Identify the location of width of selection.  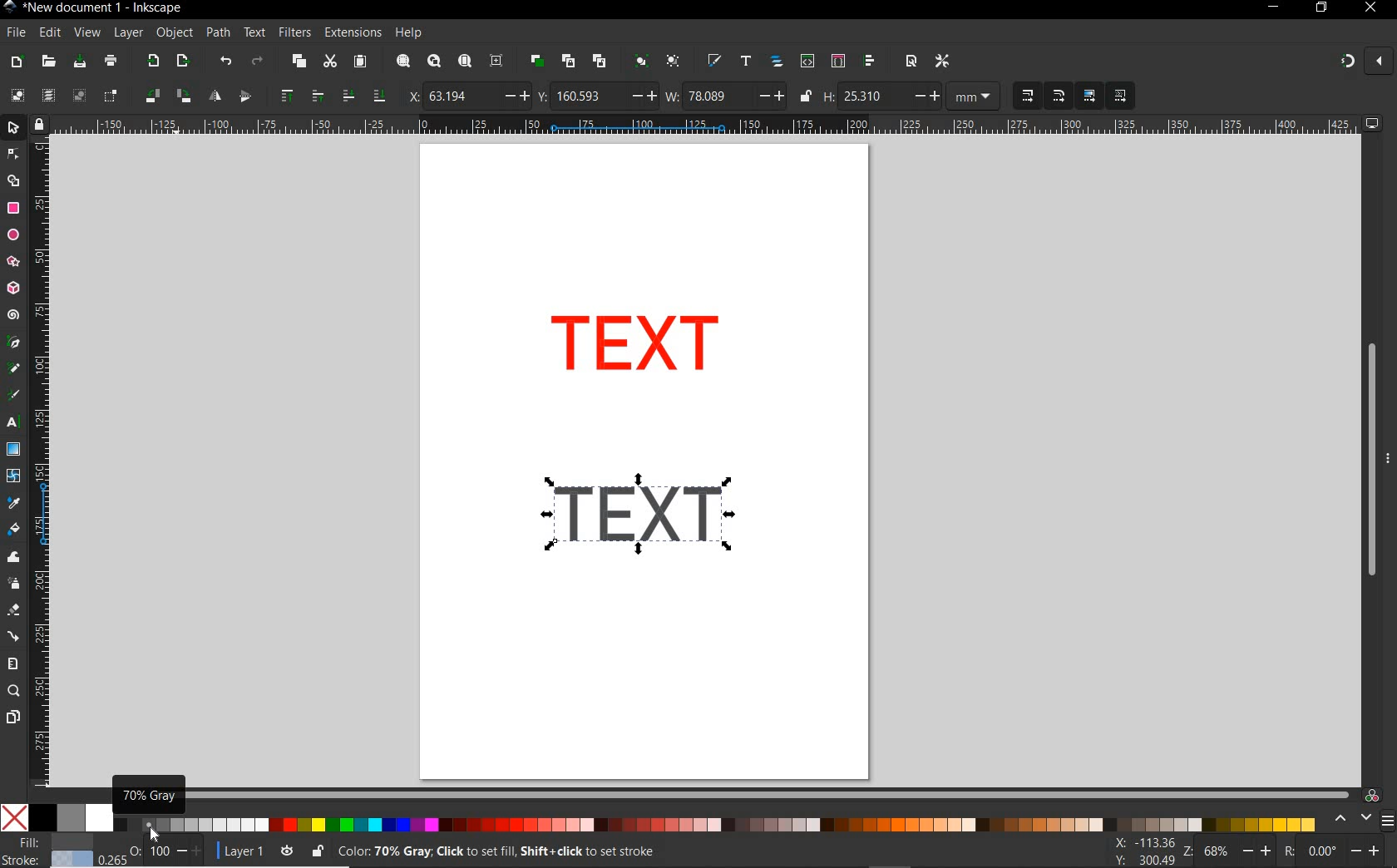
(725, 96).